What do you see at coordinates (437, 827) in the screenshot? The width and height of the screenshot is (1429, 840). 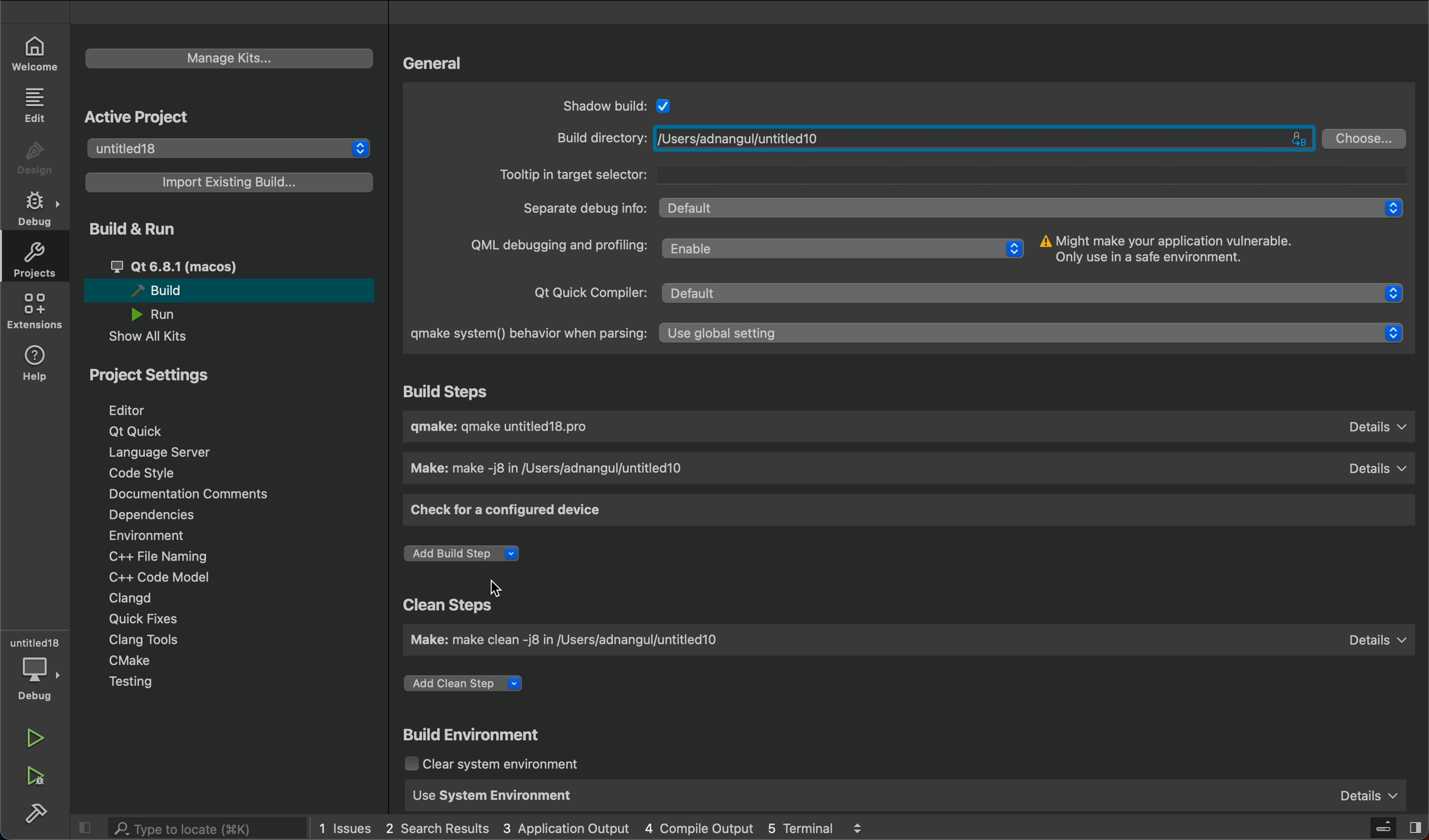 I see `2 Search Results` at bounding box center [437, 827].